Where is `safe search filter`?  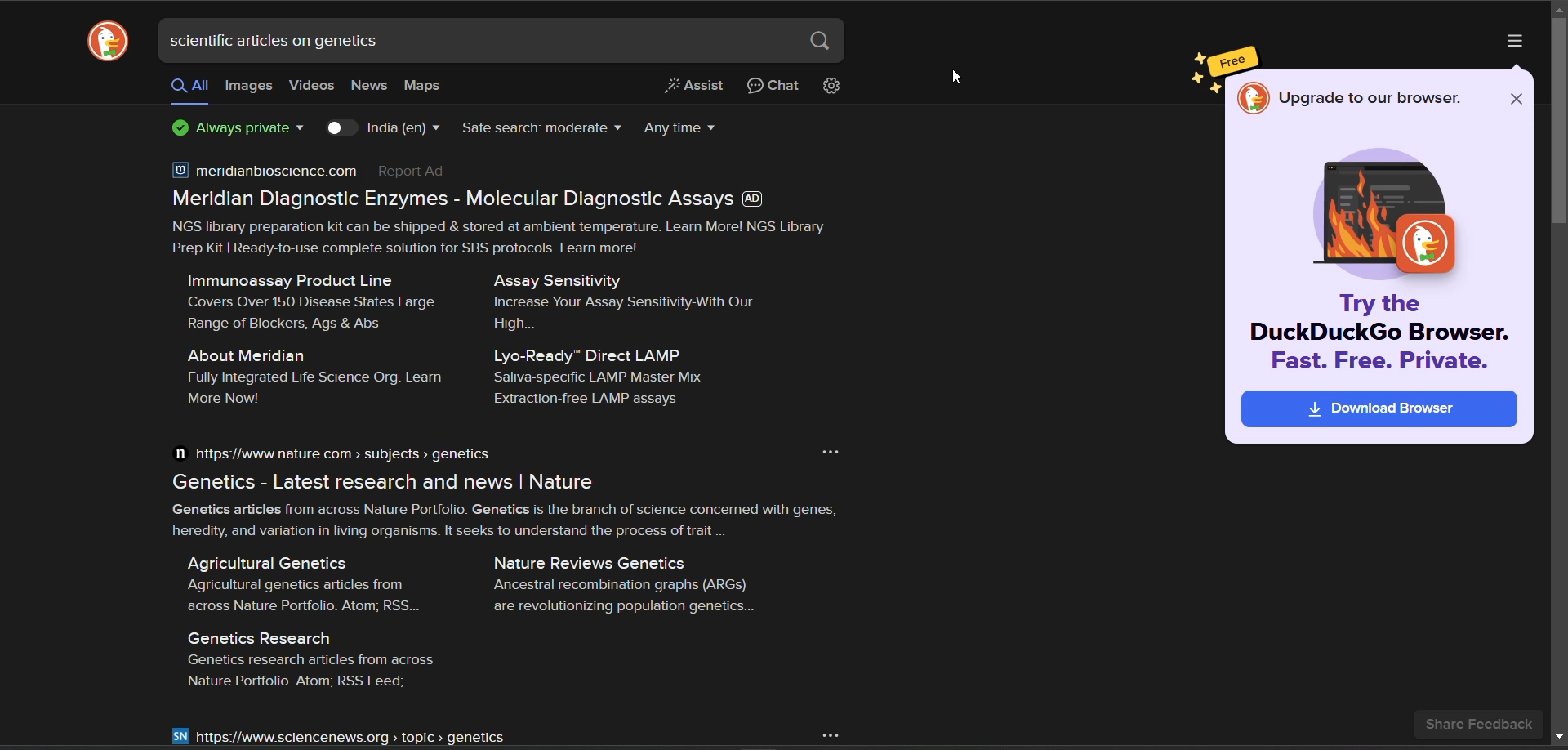 safe search filter is located at coordinates (541, 127).